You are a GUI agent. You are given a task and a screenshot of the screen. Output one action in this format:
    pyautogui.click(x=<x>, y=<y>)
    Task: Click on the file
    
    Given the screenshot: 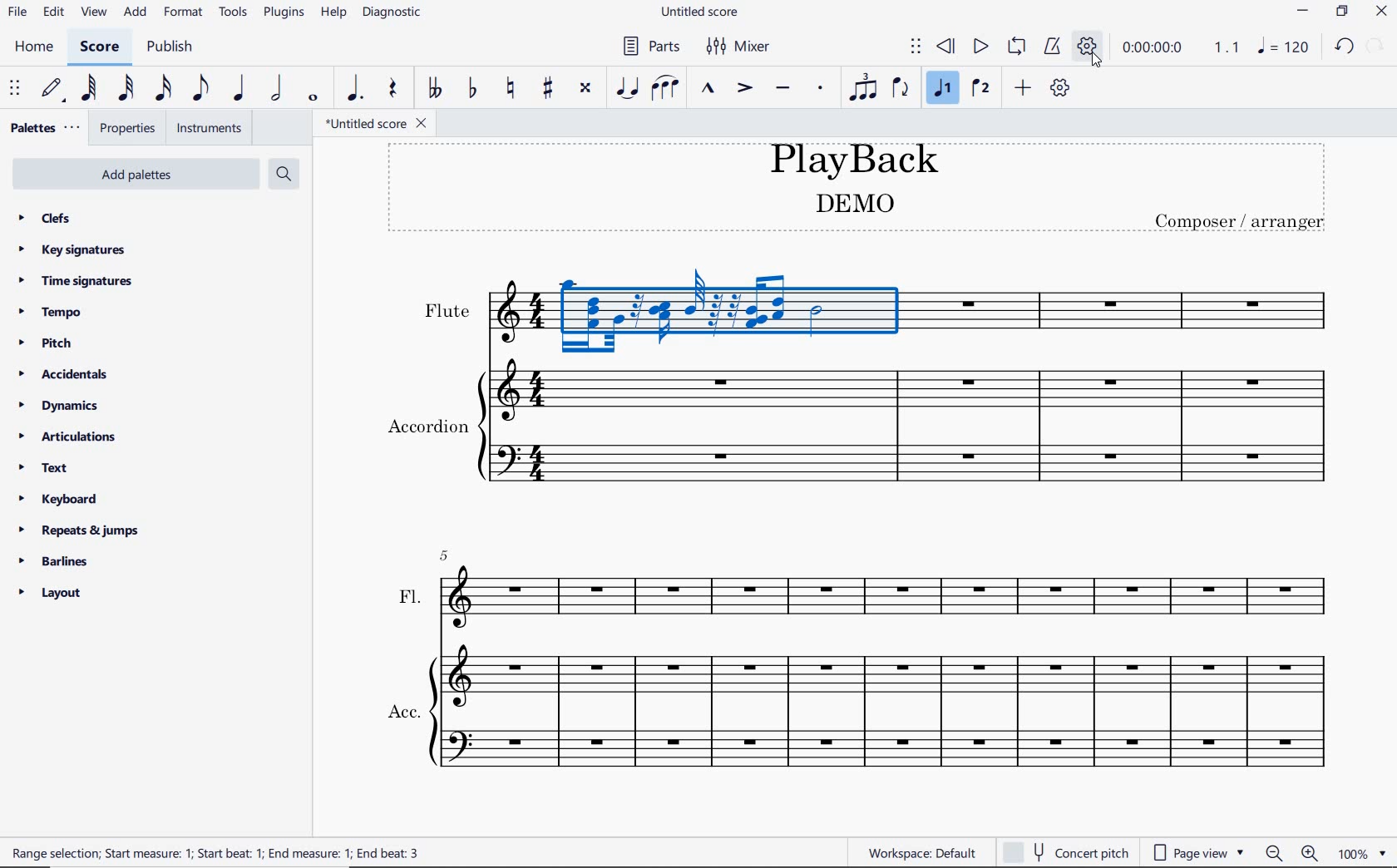 What is the action you would take?
    pyautogui.click(x=17, y=12)
    